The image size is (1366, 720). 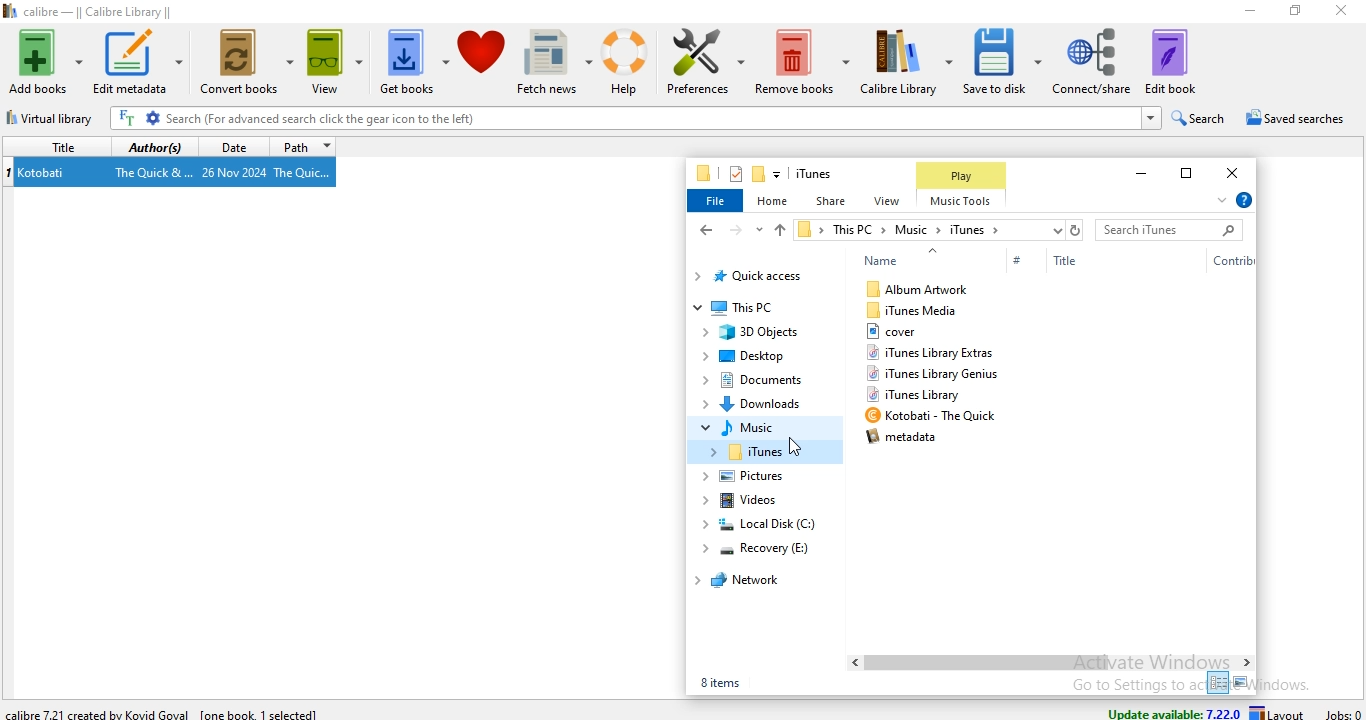 What do you see at coordinates (921, 312) in the screenshot?
I see `iTunes Media` at bounding box center [921, 312].